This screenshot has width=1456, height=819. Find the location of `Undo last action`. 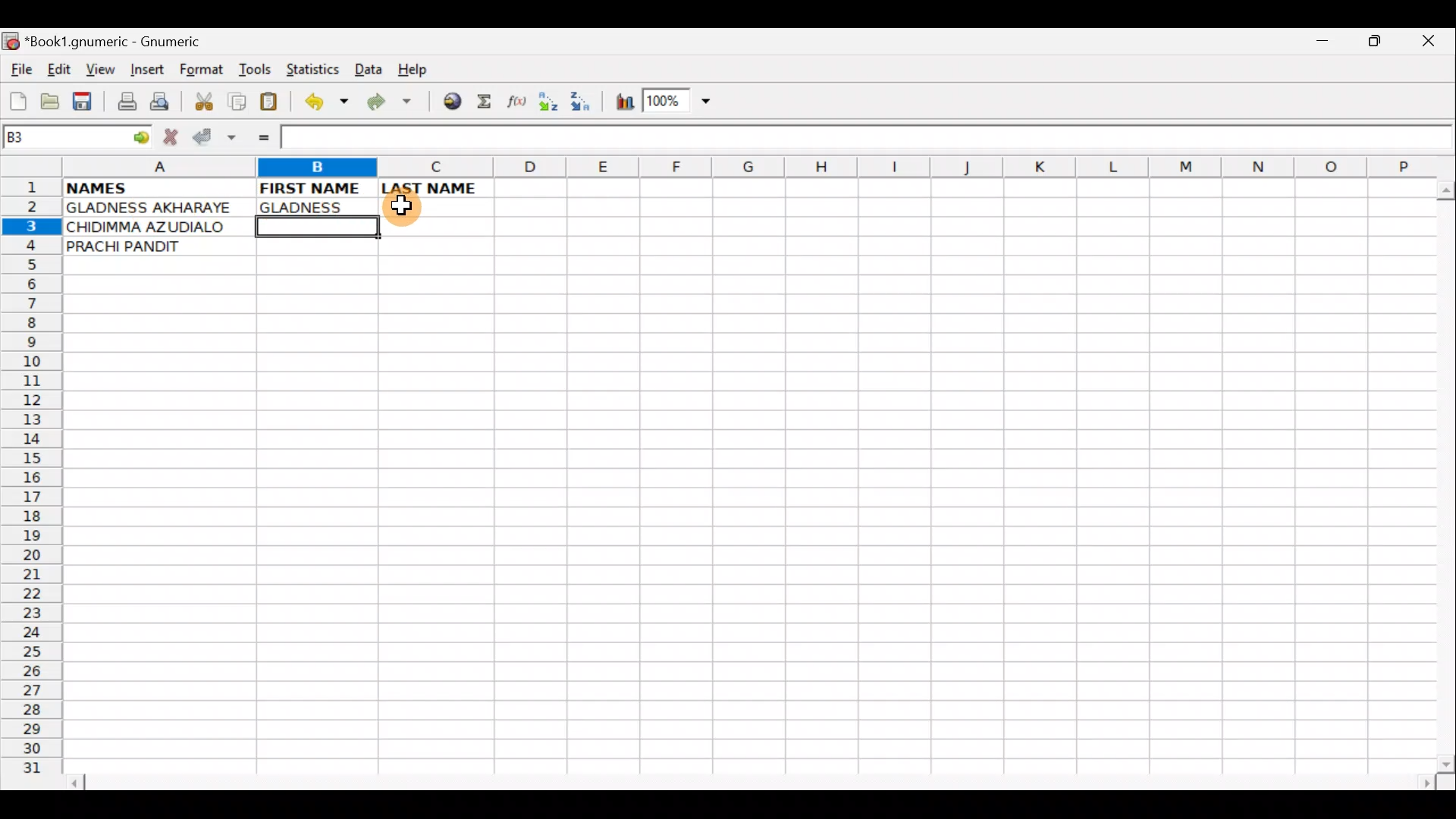

Undo last action is located at coordinates (328, 104).